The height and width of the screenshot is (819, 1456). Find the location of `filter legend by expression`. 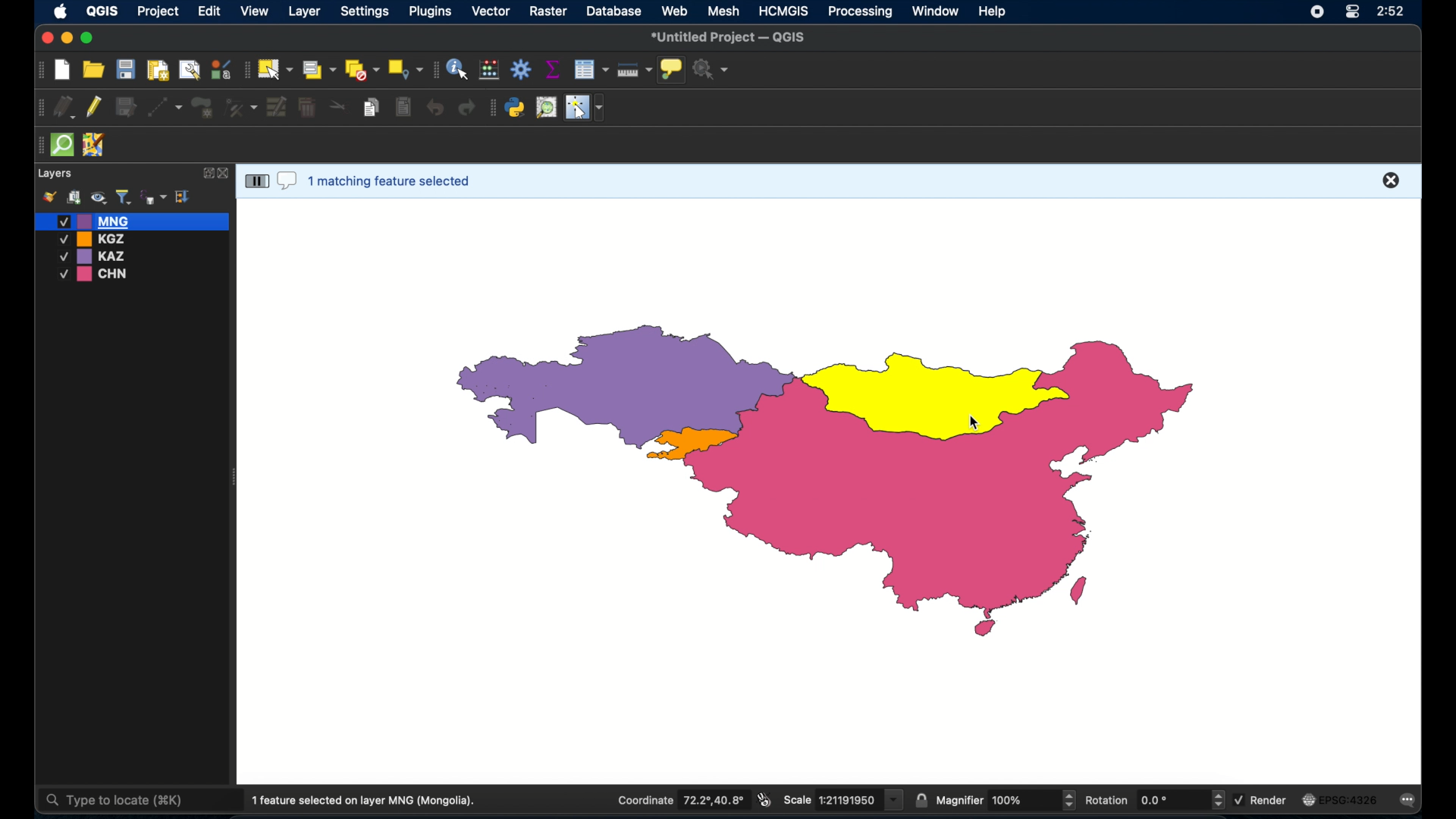

filter legend by expression is located at coordinates (154, 196).